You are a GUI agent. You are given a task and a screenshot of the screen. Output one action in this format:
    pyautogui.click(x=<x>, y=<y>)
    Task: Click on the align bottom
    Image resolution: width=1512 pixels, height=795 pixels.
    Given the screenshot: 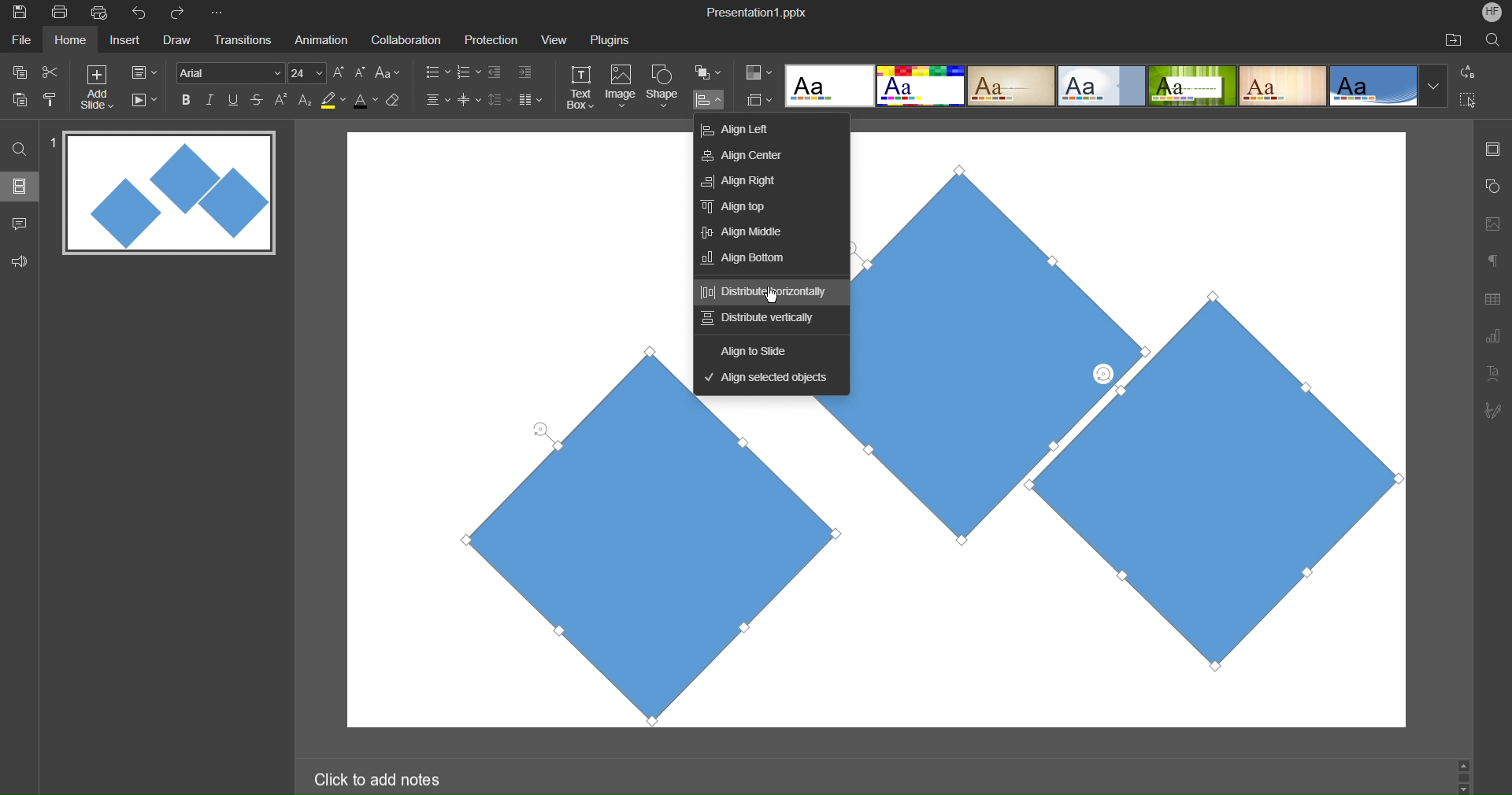 What is the action you would take?
    pyautogui.click(x=765, y=256)
    